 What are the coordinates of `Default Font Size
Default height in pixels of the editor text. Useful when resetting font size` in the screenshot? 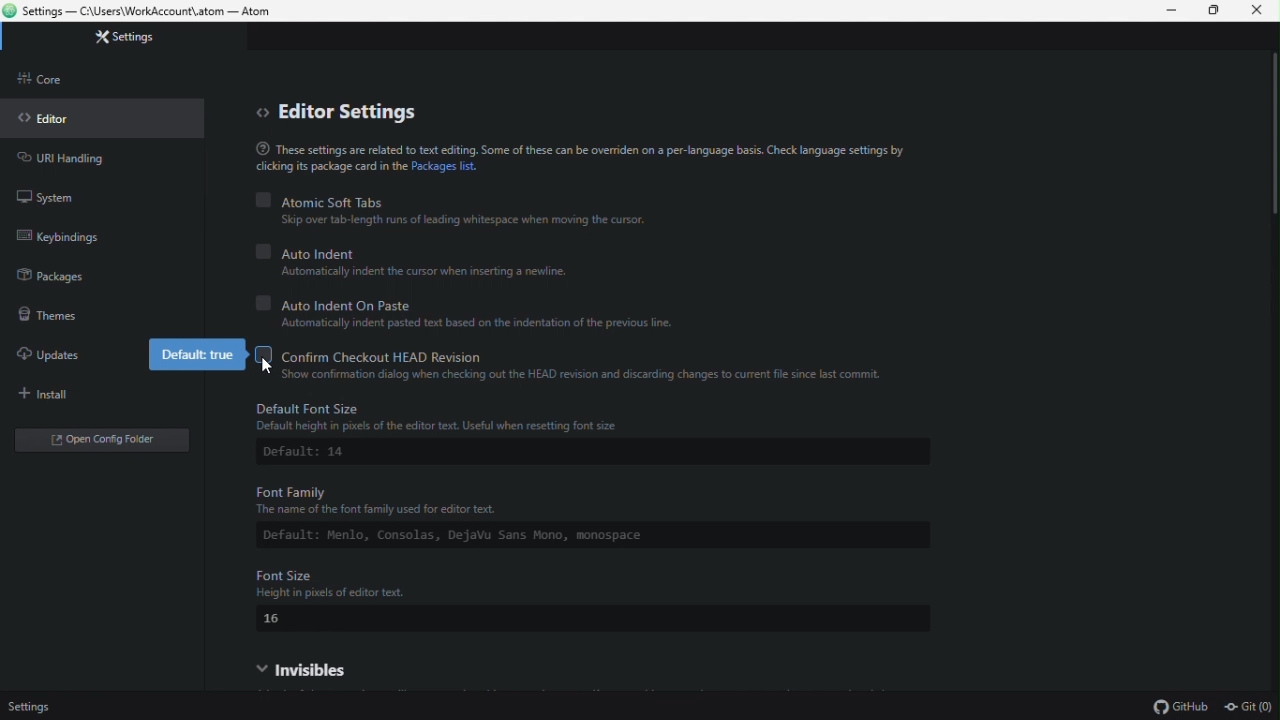 It's located at (576, 415).